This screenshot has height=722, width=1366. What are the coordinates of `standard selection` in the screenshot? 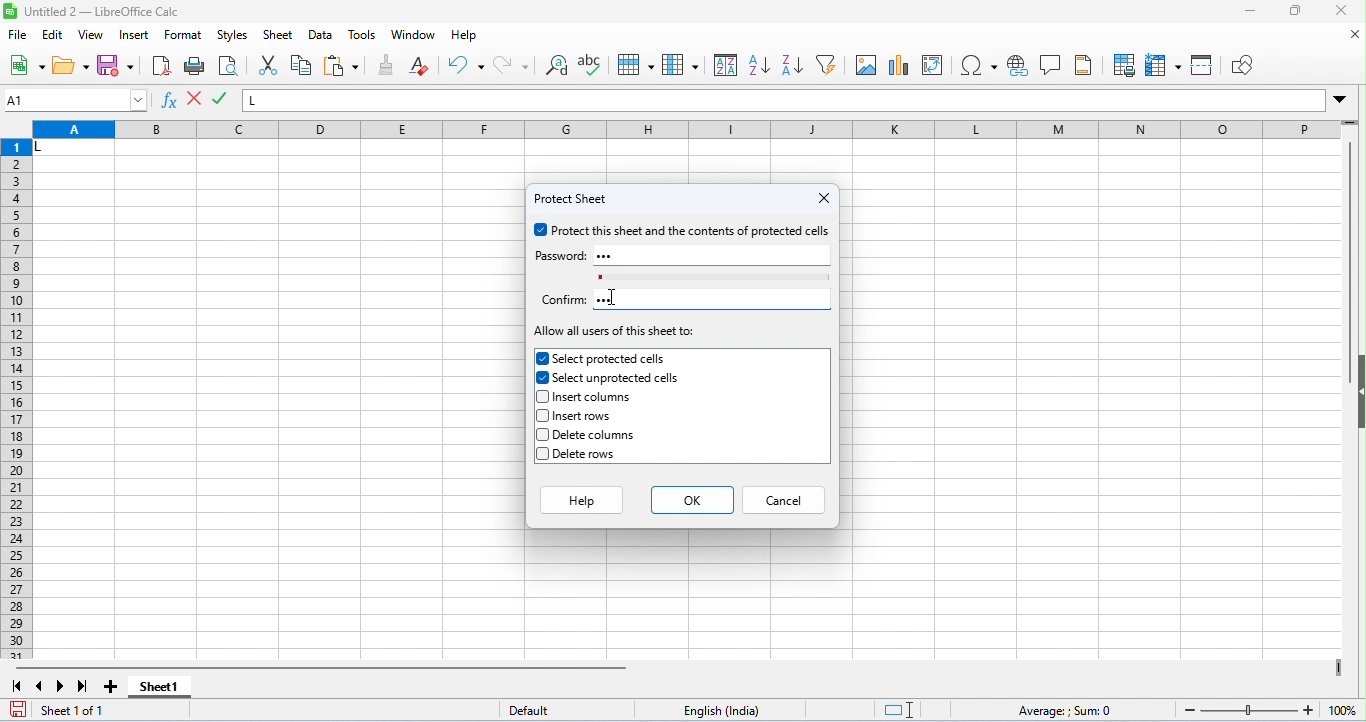 It's located at (901, 710).